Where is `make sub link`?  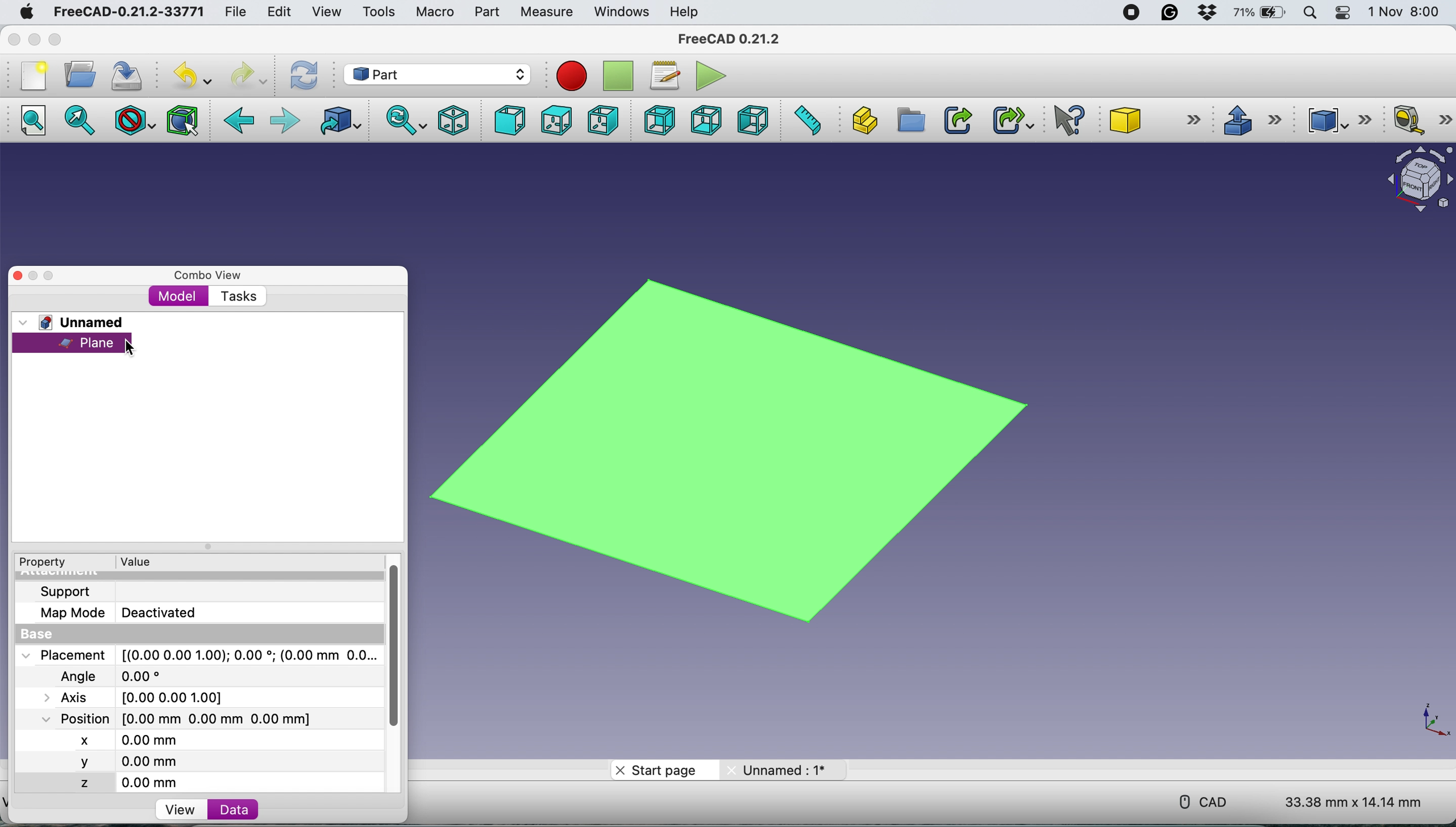 make sub link is located at coordinates (1012, 116).